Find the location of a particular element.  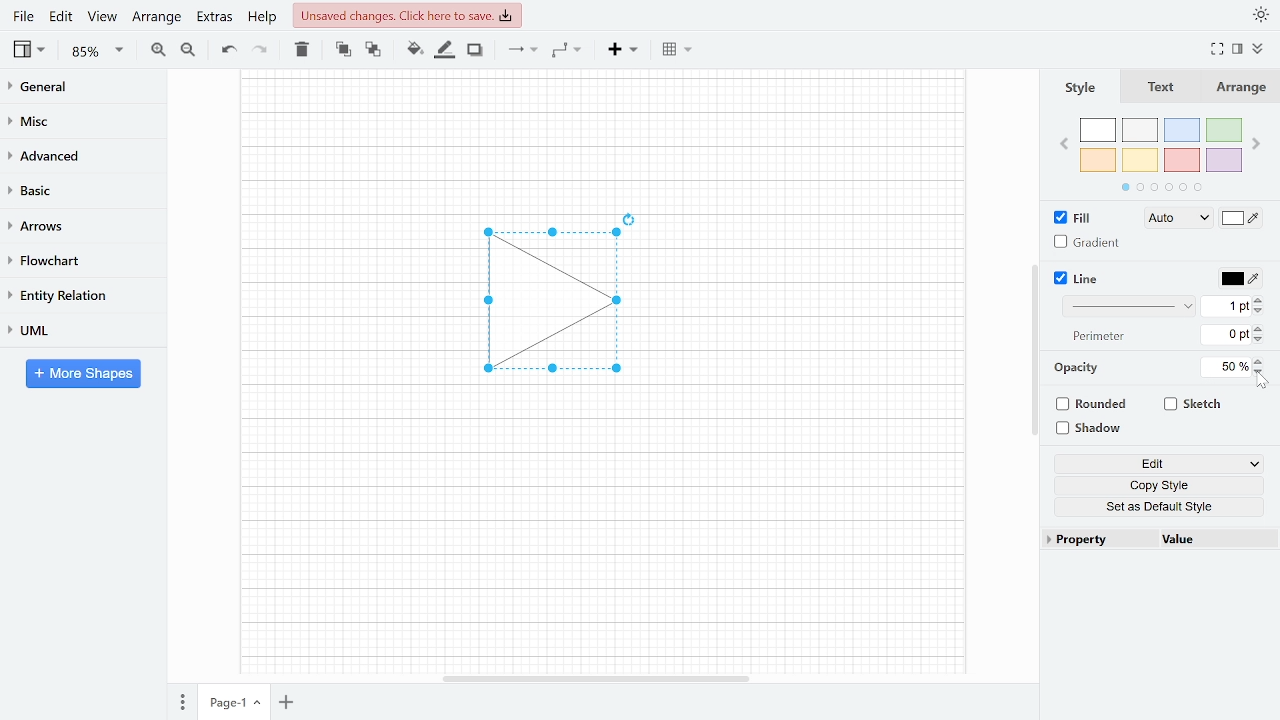

cursor is located at coordinates (1264, 383).